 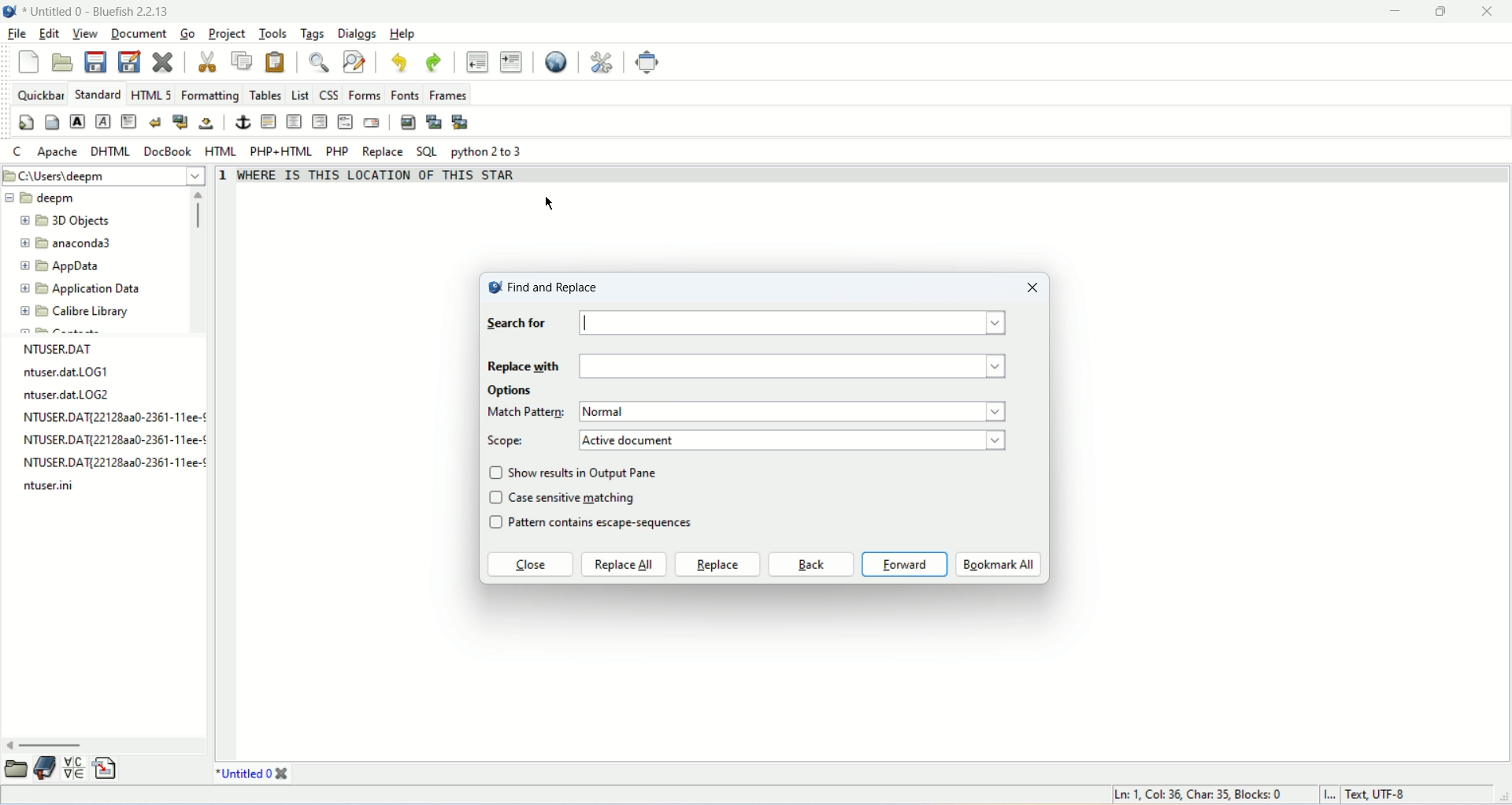 What do you see at coordinates (276, 62) in the screenshot?
I see `paste` at bounding box center [276, 62].